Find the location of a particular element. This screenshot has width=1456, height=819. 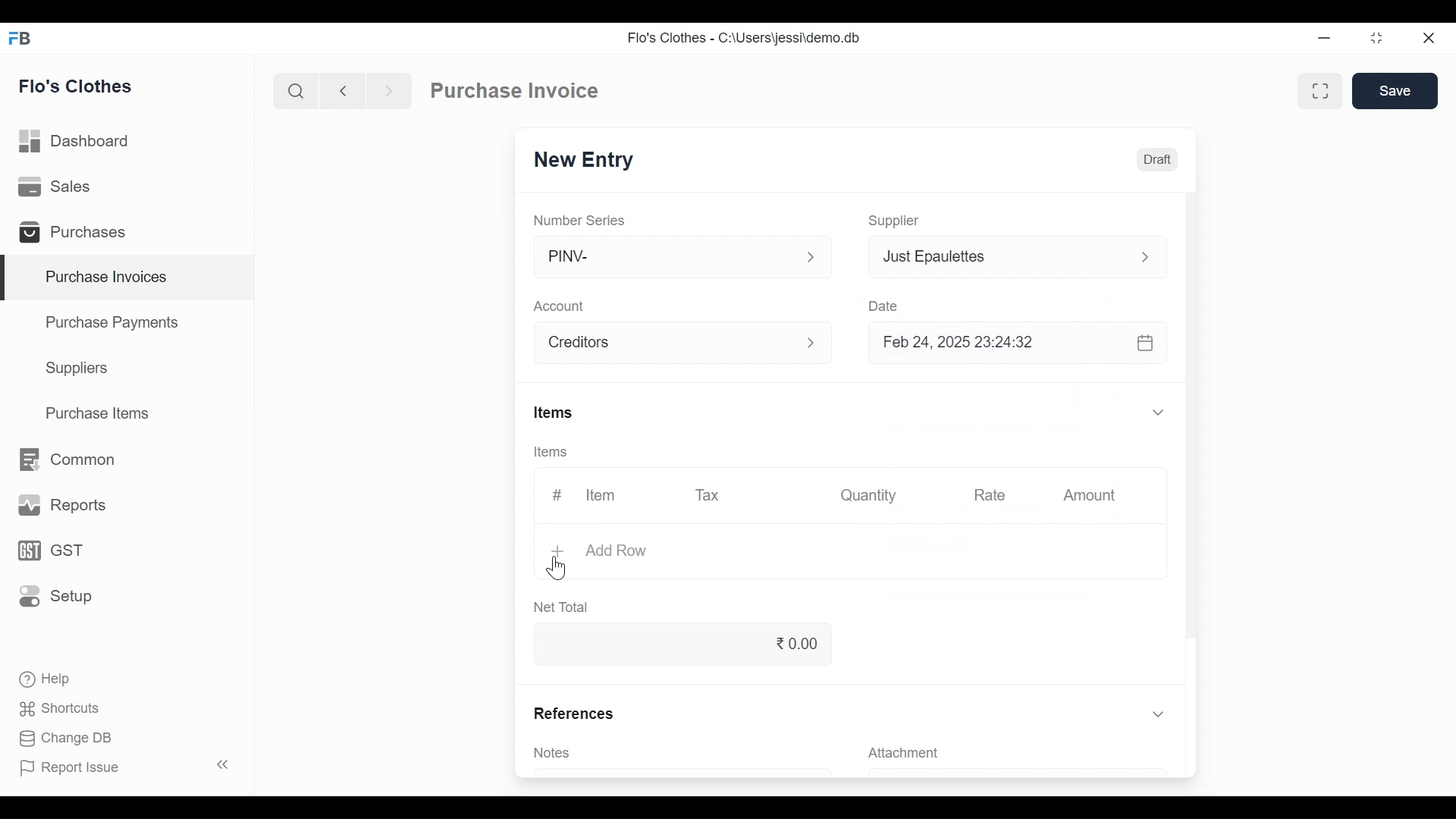

Save is located at coordinates (1395, 91).